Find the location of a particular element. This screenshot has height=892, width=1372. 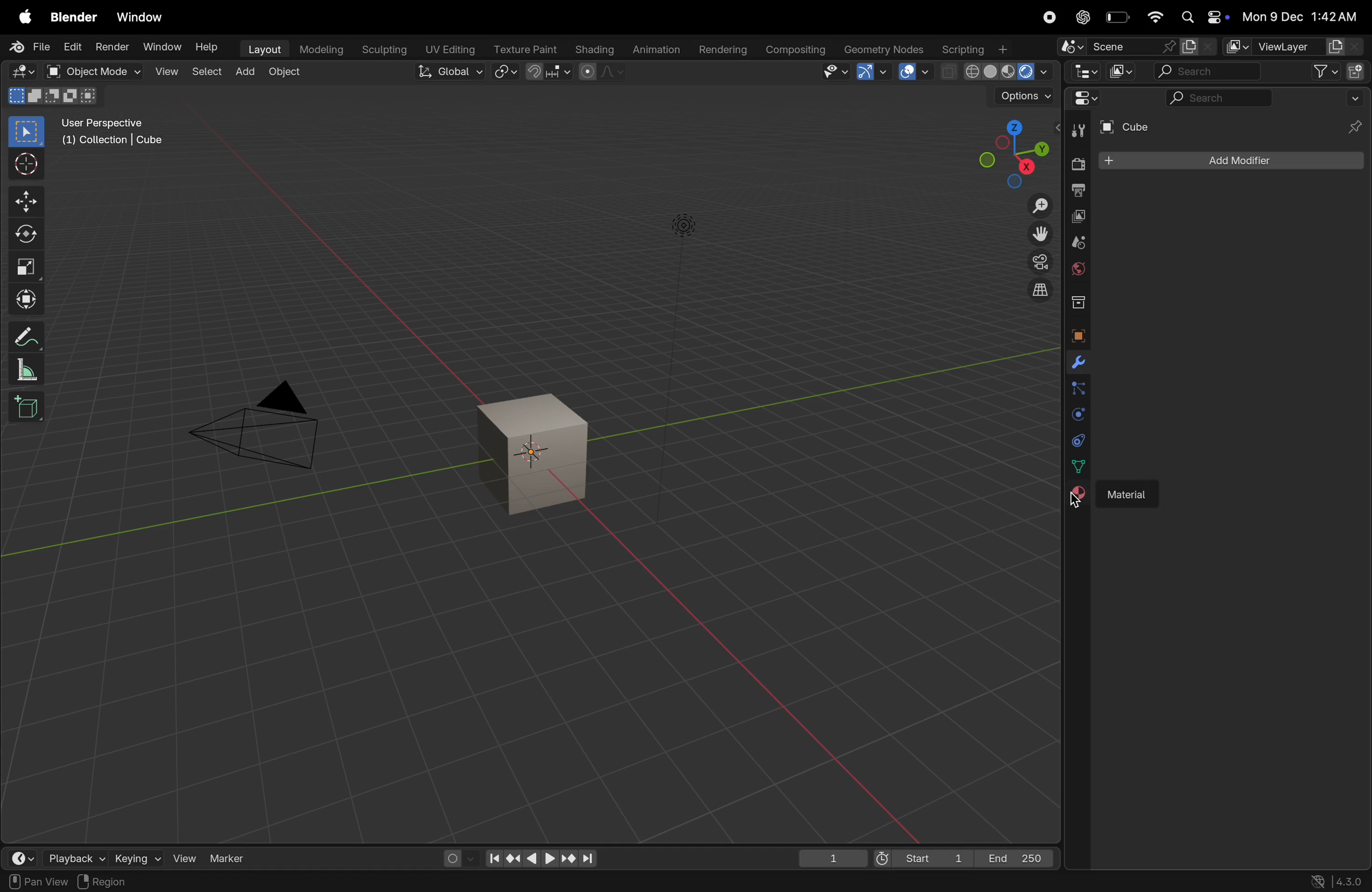

shading is located at coordinates (594, 50).